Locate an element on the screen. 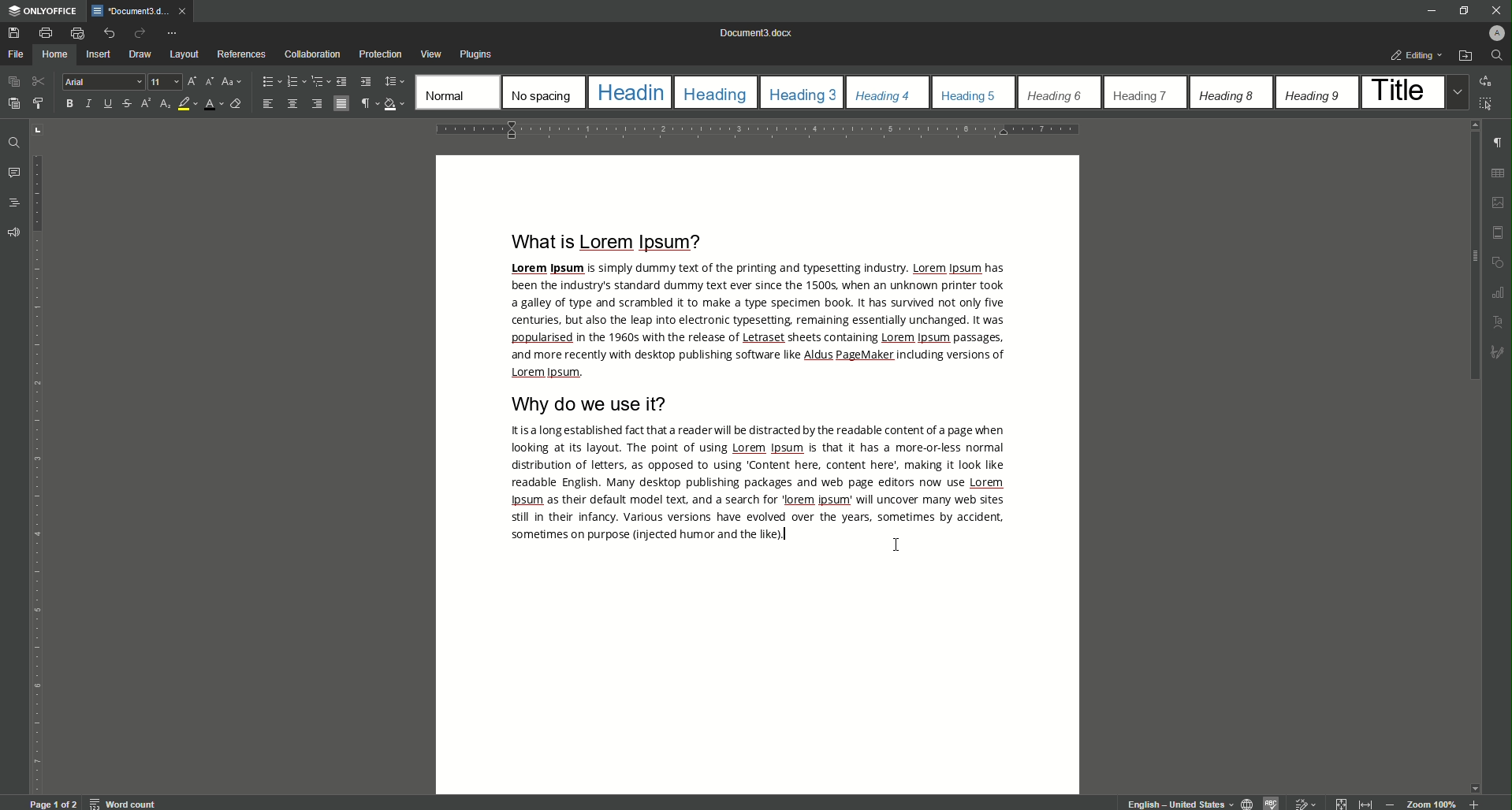  Insert is located at coordinates (101, 55).